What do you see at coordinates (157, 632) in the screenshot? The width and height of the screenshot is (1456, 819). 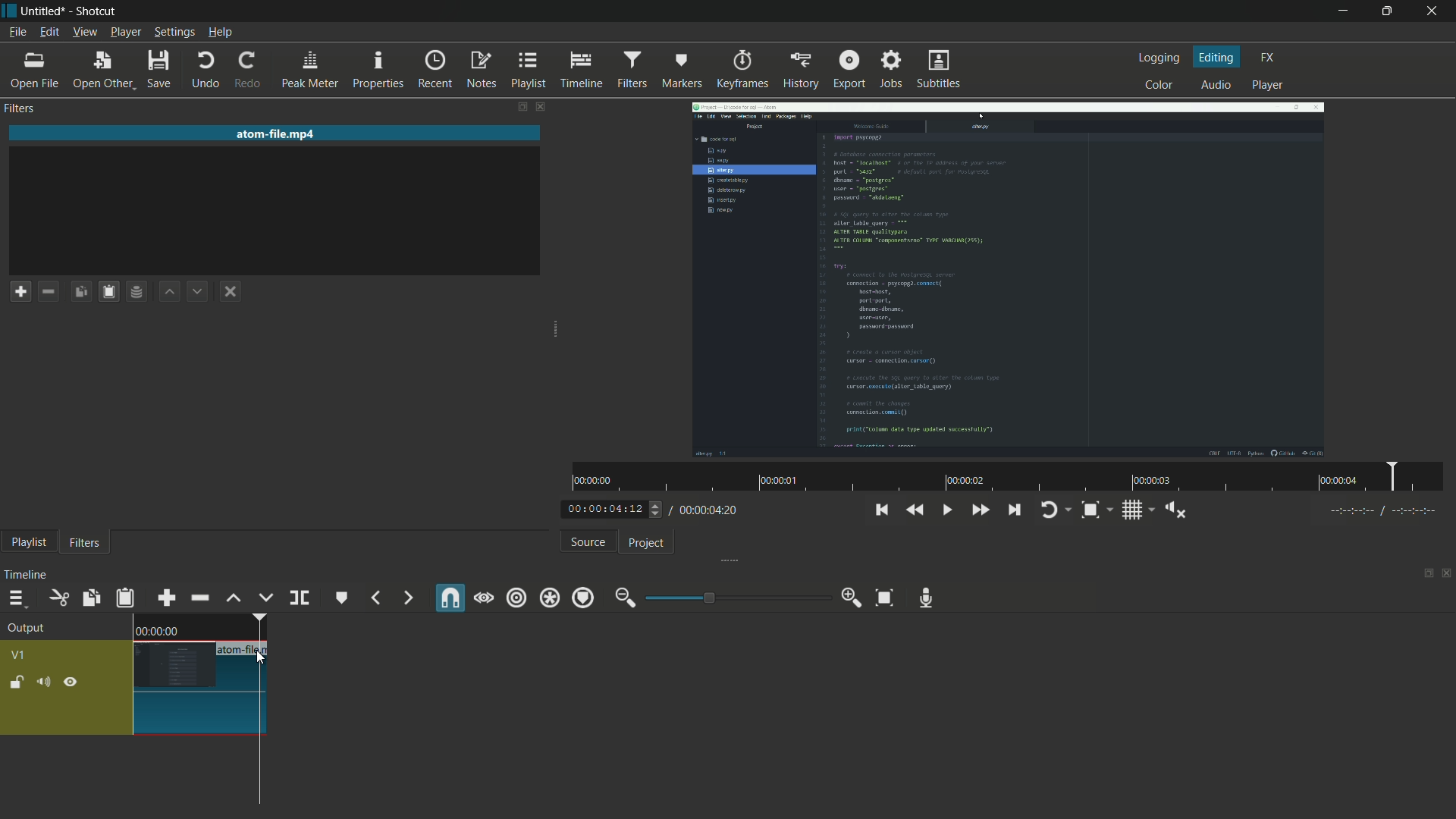 I see `time` at bounding box center [157, 632].